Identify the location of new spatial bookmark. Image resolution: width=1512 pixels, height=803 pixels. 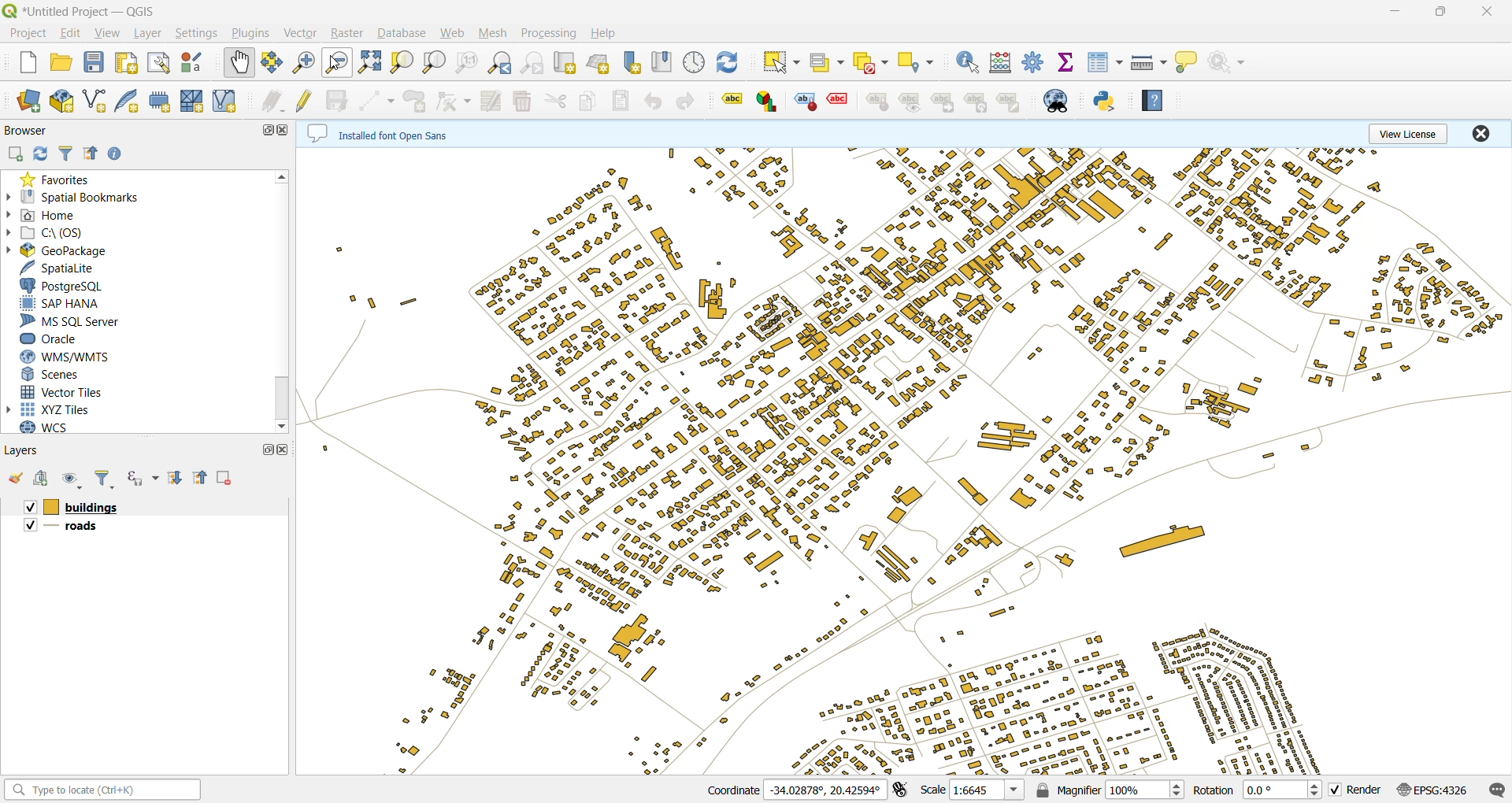
(631, 65).